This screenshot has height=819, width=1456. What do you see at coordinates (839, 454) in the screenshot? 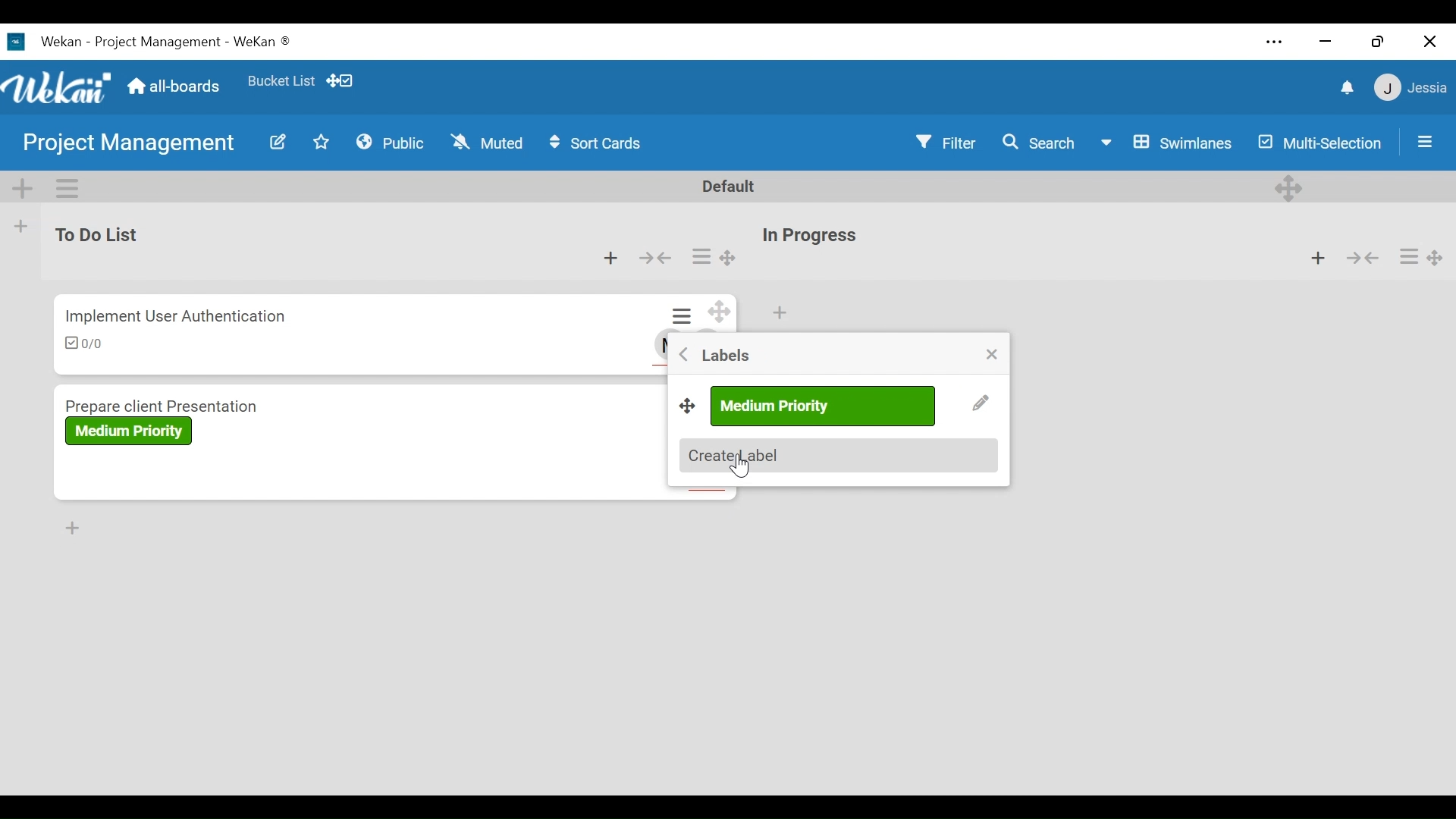
I see `Create labels` at bounding box center [839, 454].